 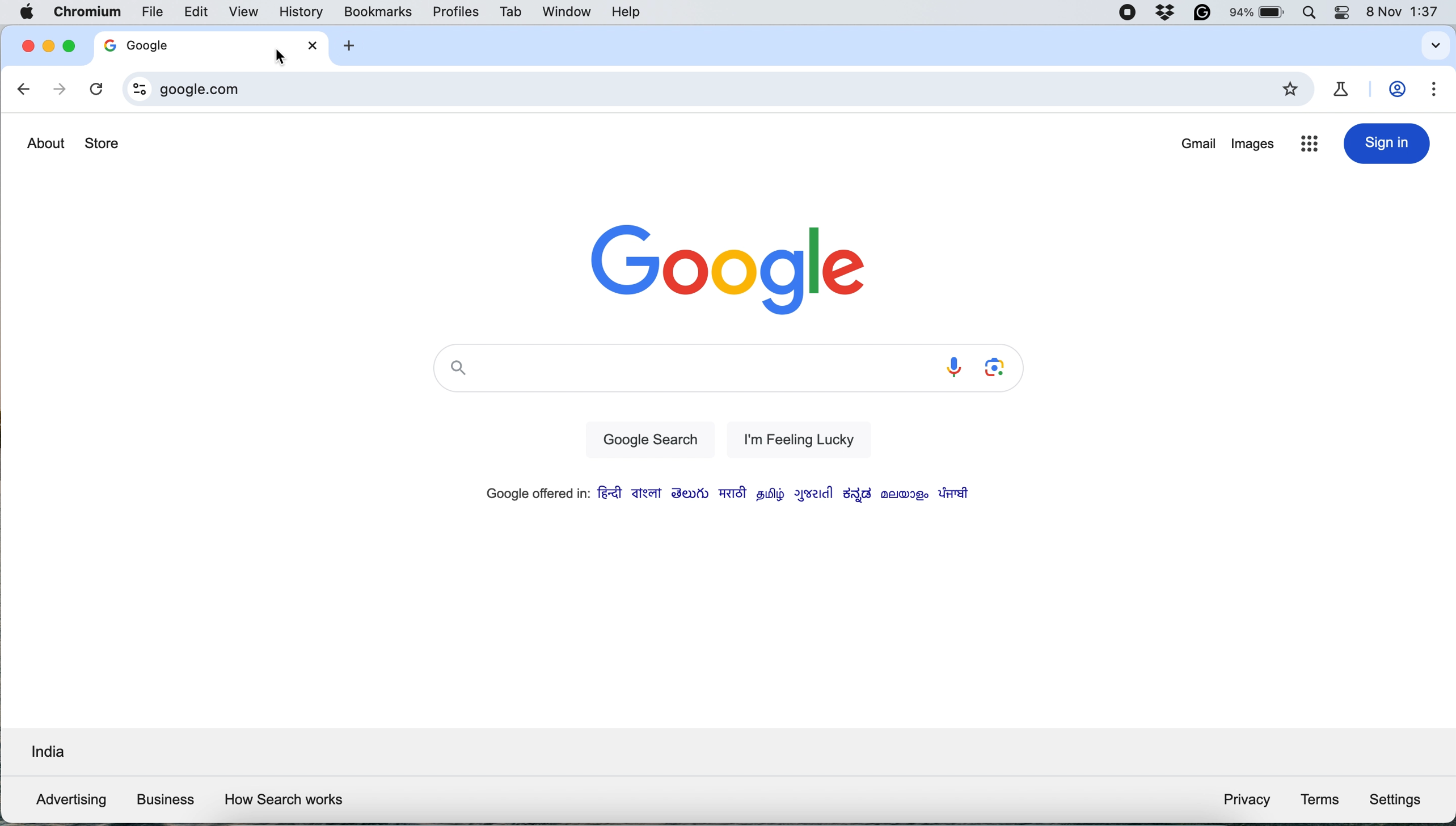 What do you see at coordinates (103, 145) in the screenshot?
I see `store` at bounding box center [103, 145].